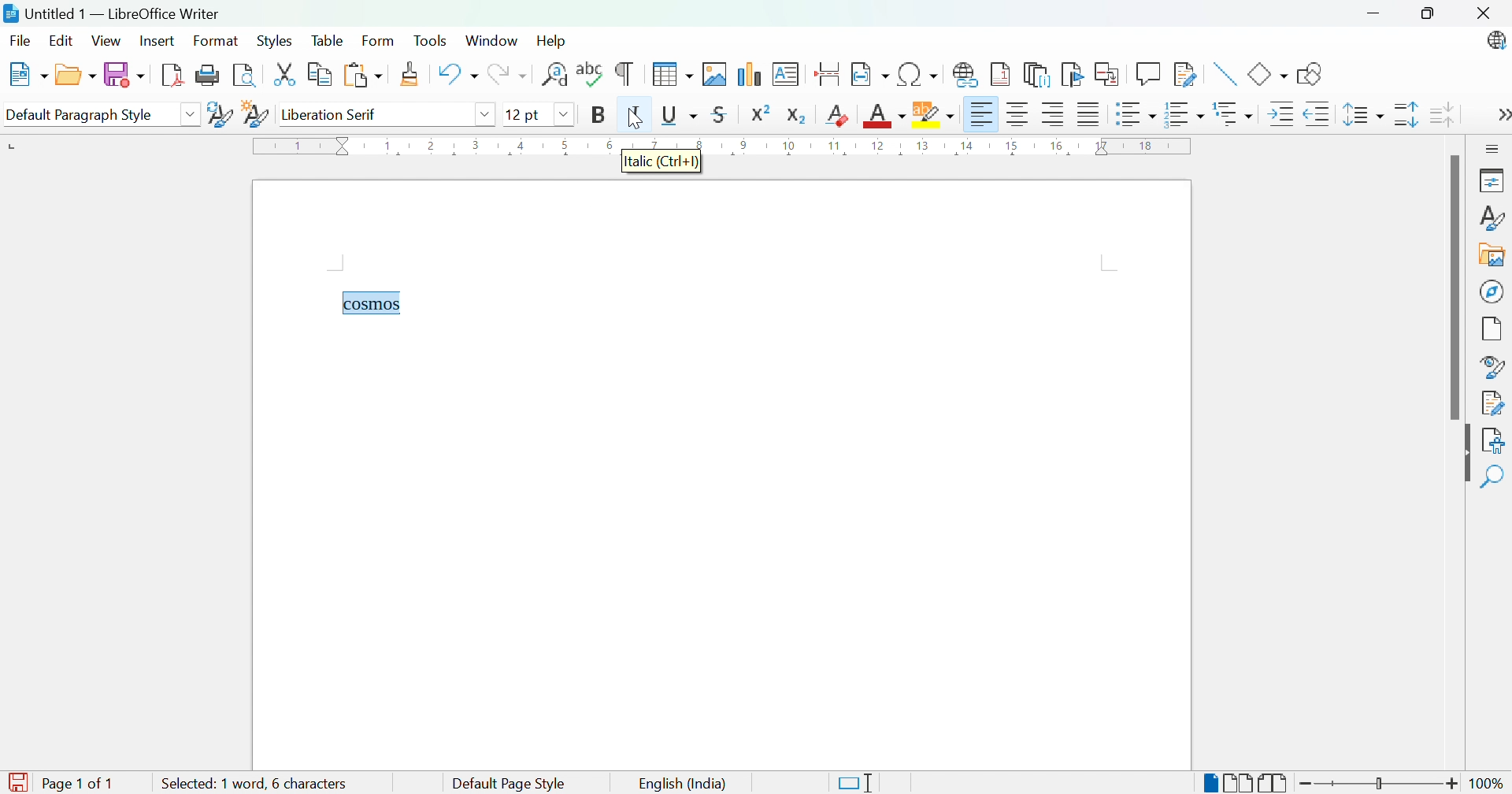 The image size is (1512, 794). What do you see at coordinates (331, 115) in the screenshot?
I see `Liberation serif` at bounding box center [331, 115].